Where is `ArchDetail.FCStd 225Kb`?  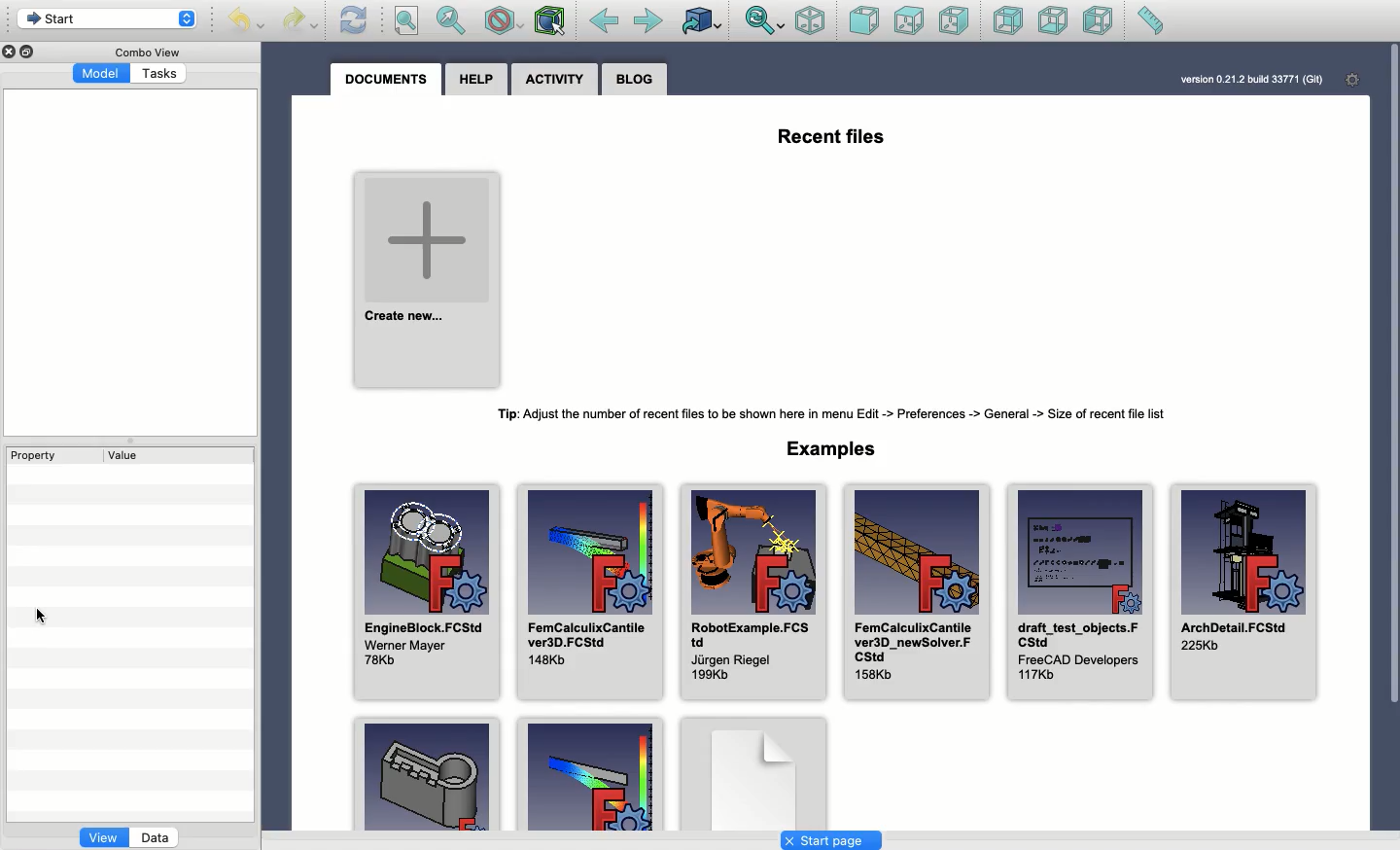 ArchDetail.FCStd 225Kb is located at coordinates (1245, 592).